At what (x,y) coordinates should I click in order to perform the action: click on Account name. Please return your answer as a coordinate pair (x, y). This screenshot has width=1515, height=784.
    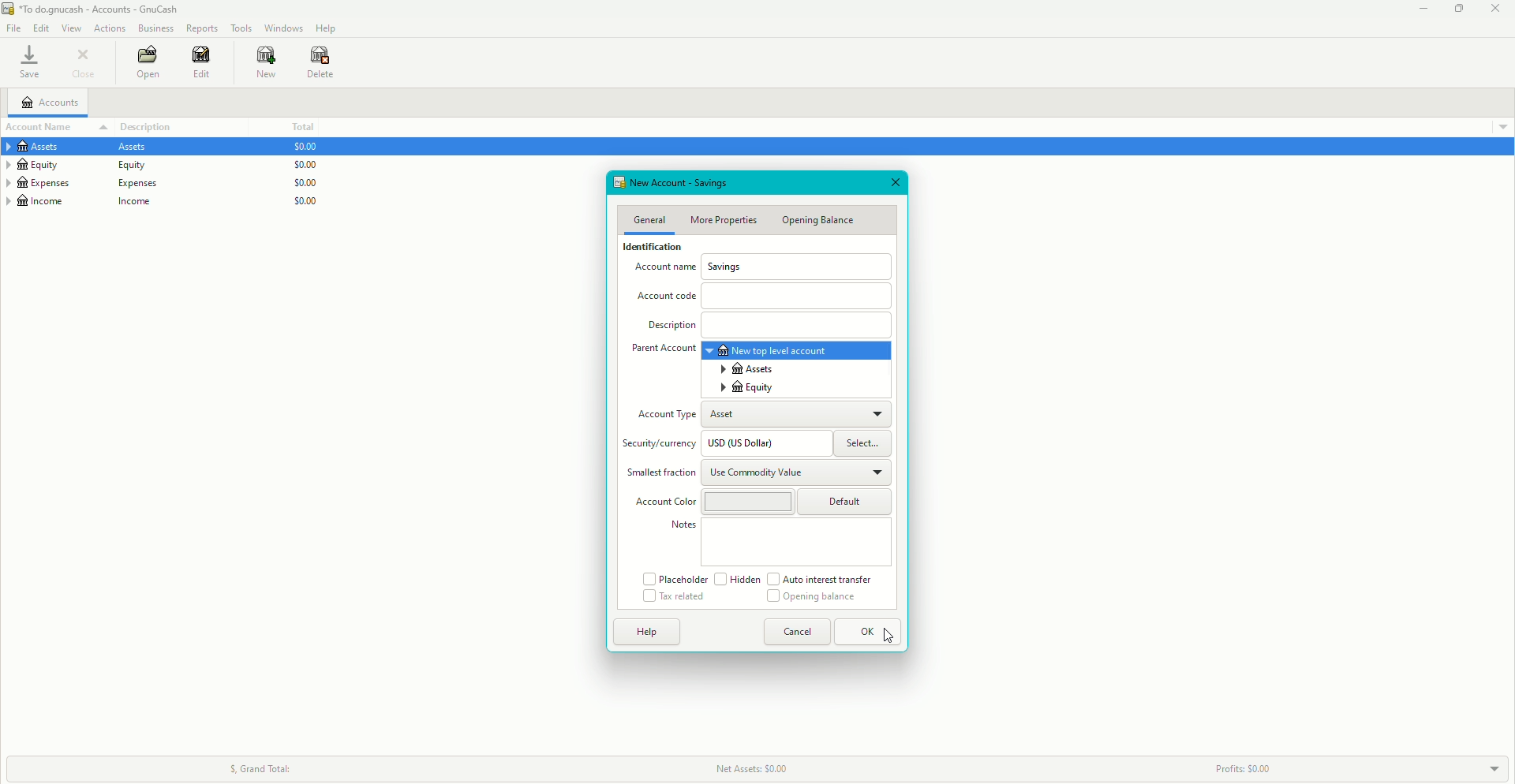
    Looking at the image, I should click on (661, 271).